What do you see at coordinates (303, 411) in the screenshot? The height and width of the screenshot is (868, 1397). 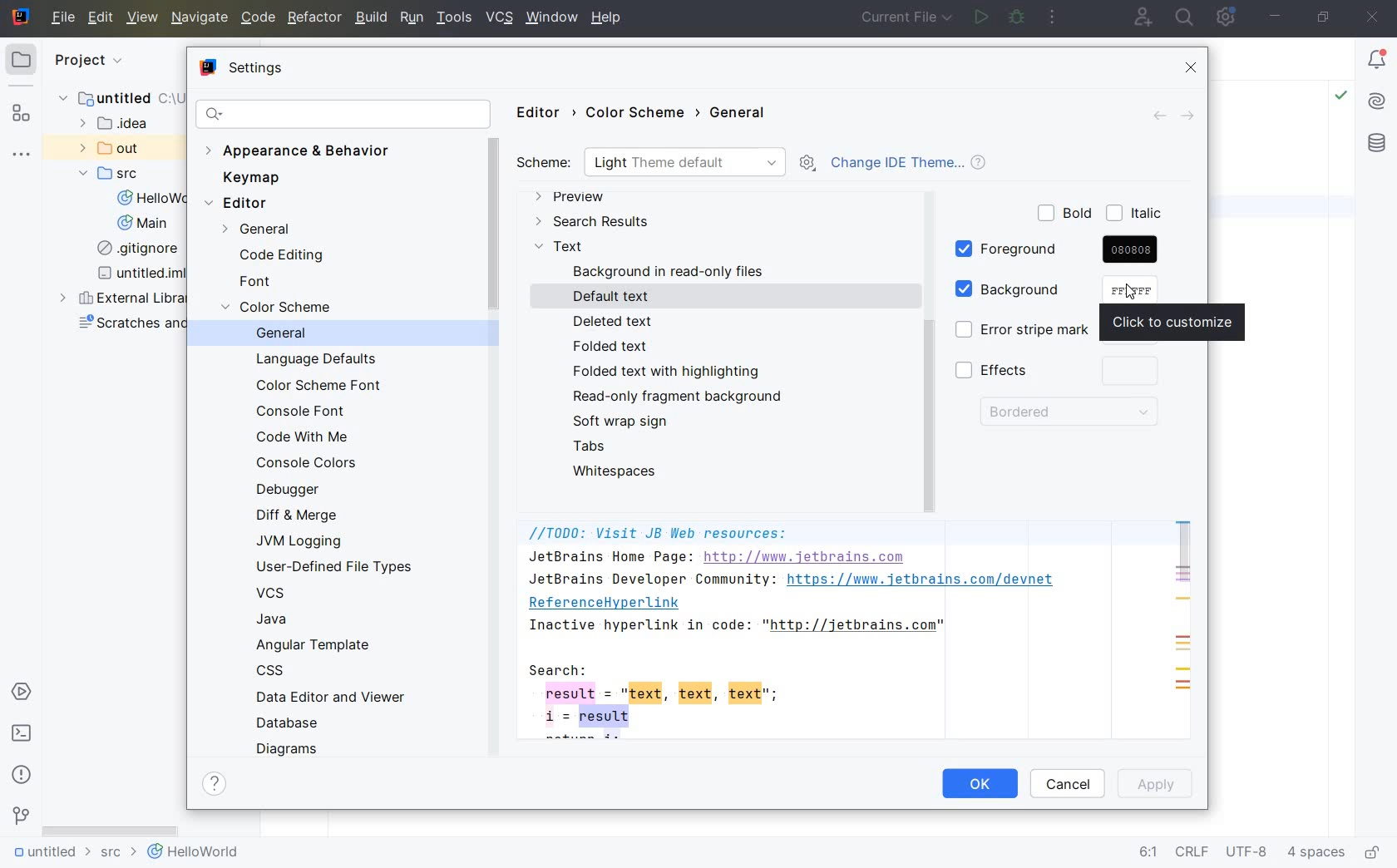 I see `CONSOLE FONT` at bounding box center [303, 411].